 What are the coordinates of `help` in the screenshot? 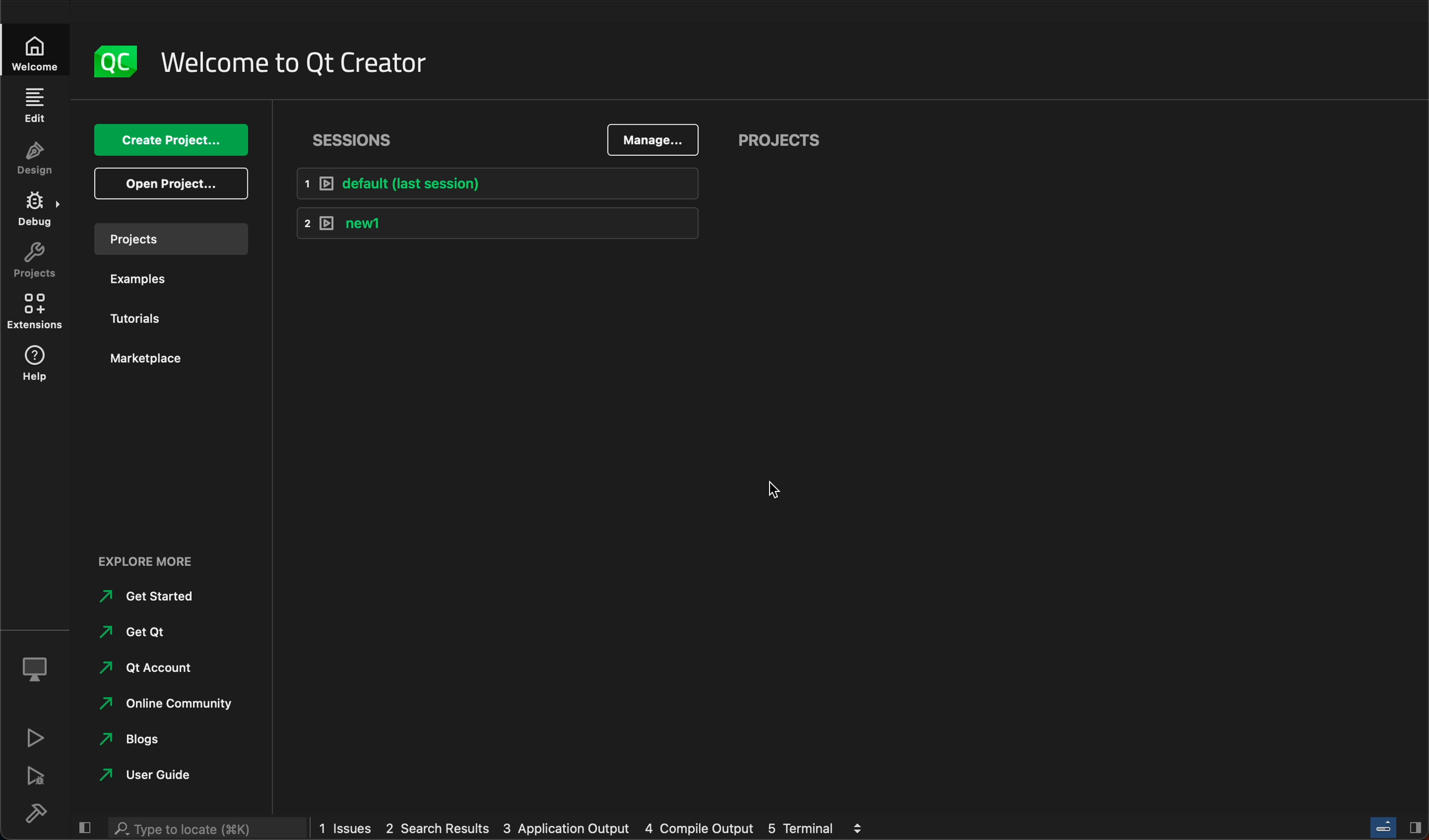 It's located at (37, 368).